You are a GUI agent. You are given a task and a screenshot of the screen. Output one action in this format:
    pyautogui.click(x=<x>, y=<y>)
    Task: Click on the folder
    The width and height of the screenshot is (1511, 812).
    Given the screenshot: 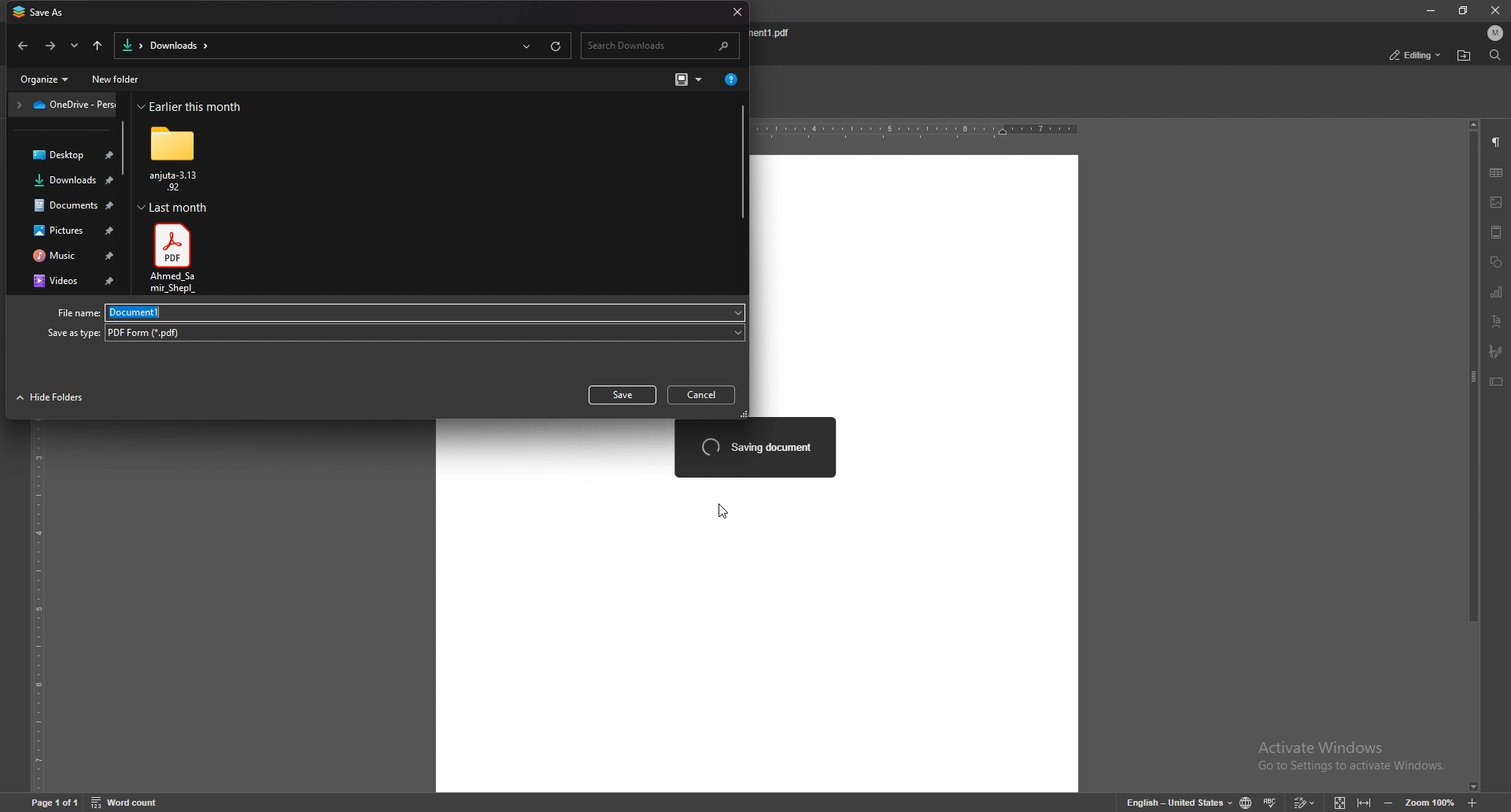 What is the action you would take?
    pyautogui.click(x=64, y=105)
    